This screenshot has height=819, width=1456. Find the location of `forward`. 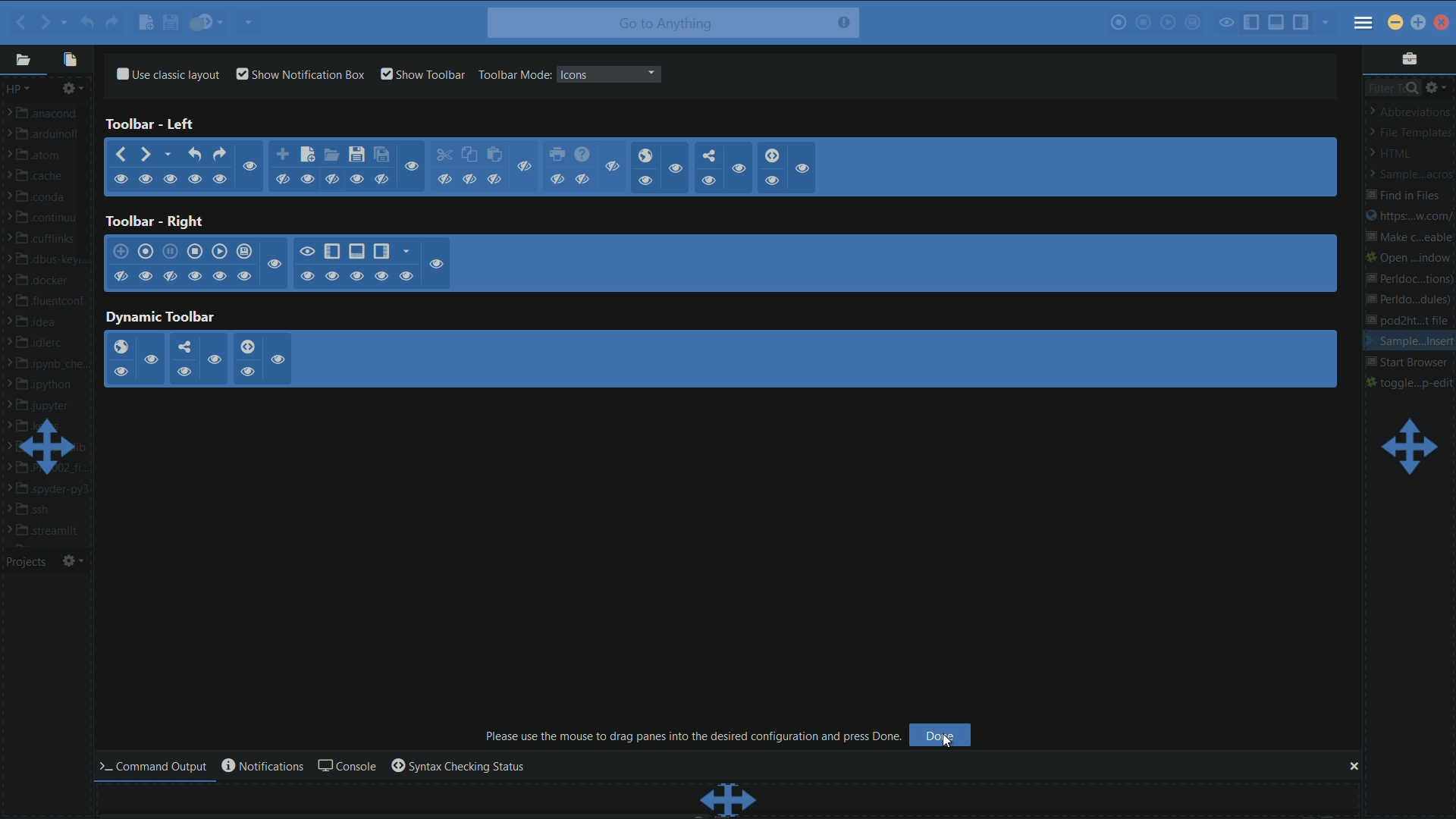

forward is located at coordinates (147, 155).